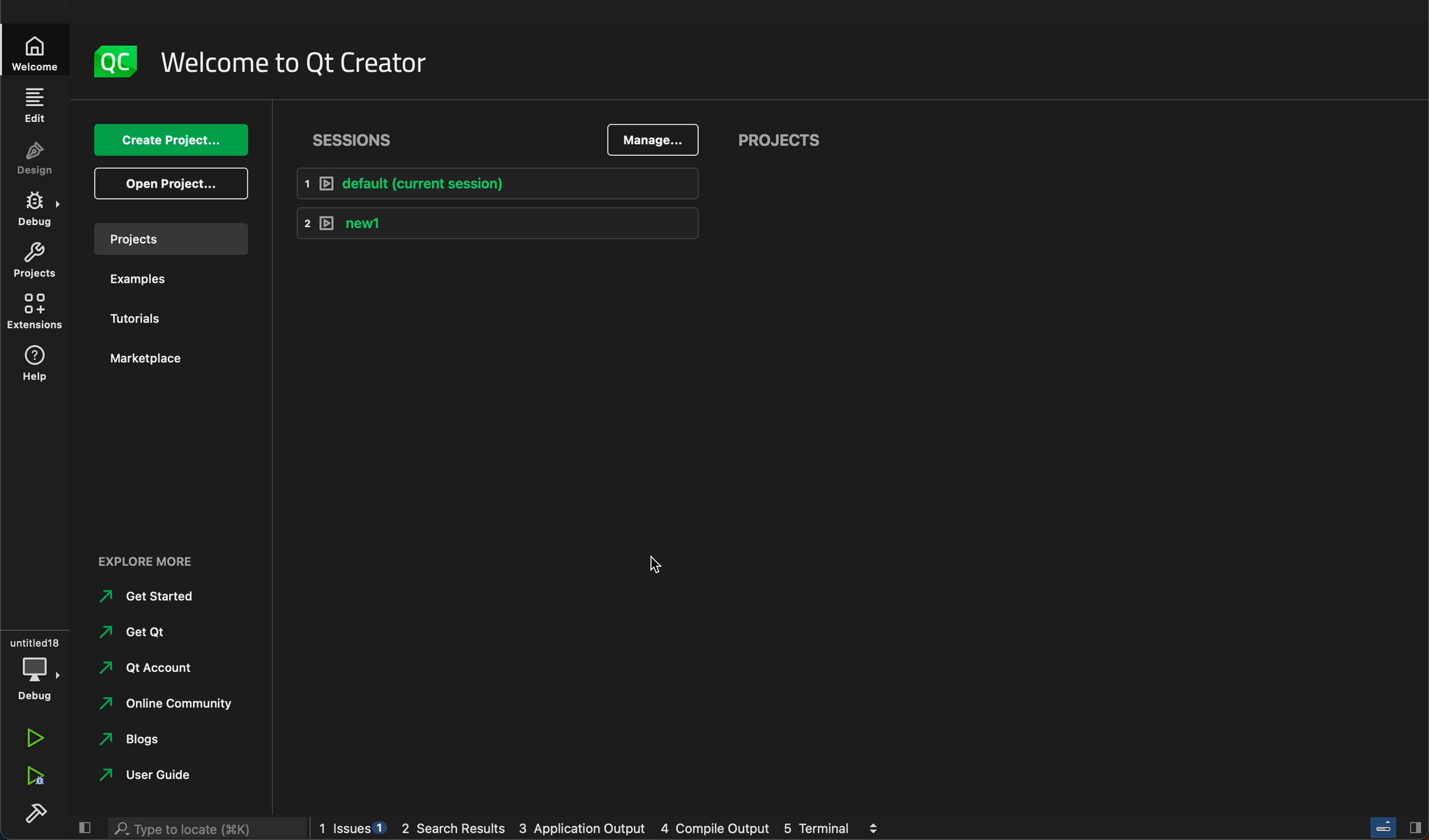  I want to click on debug, so click(34, 667).